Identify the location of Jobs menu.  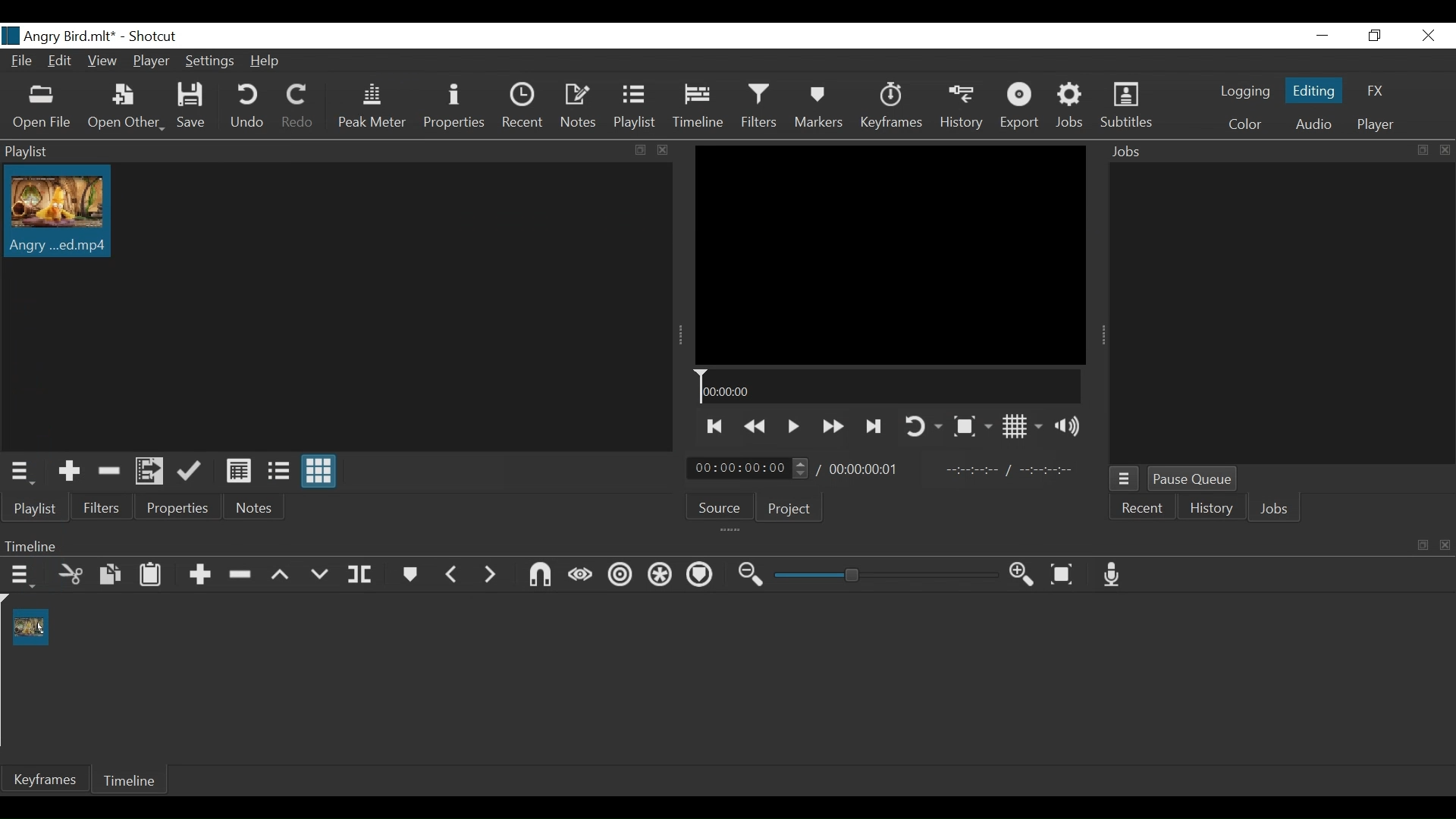
(1125, 479).